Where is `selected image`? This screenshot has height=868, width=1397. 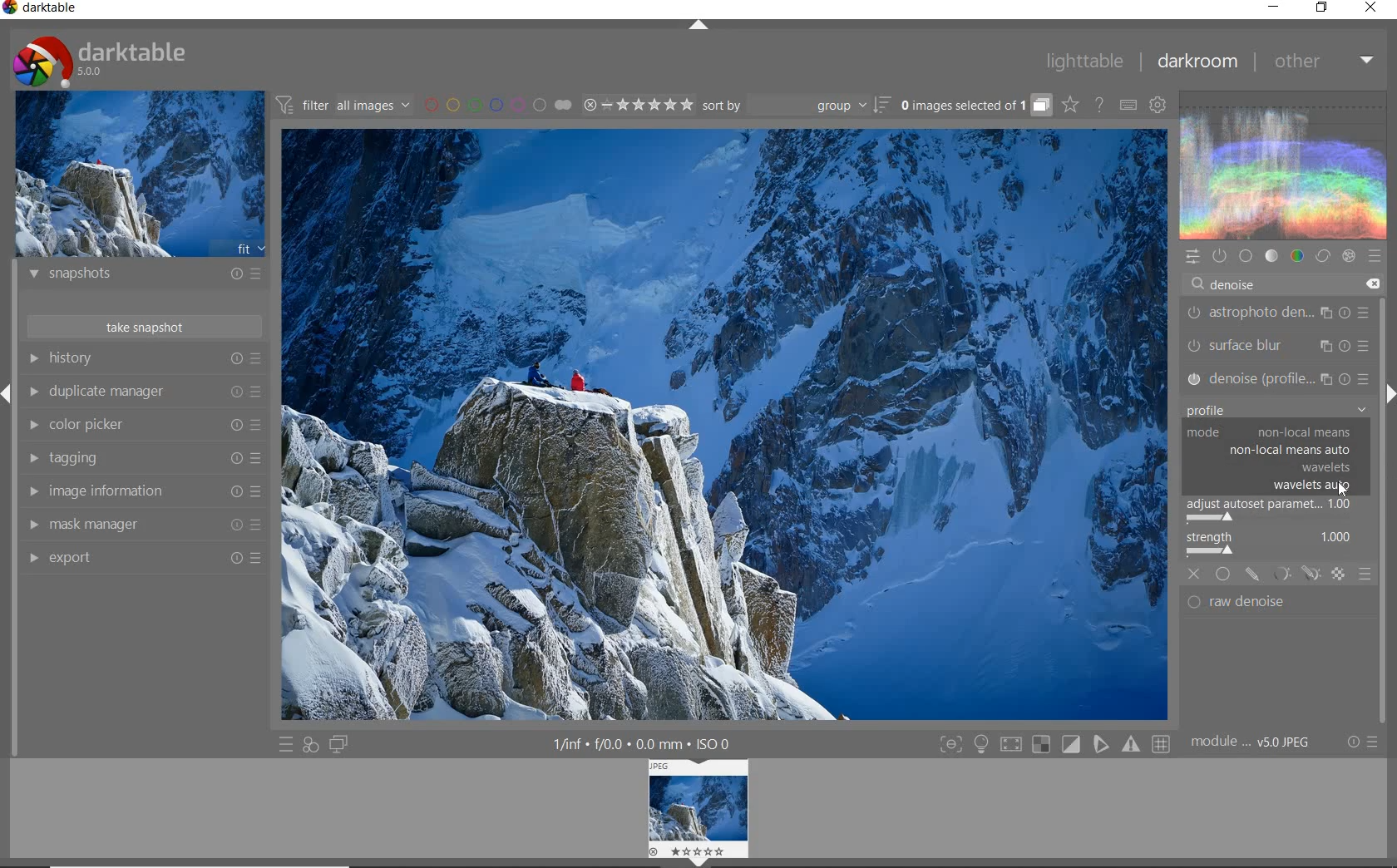 selected image is located at coordinates (722, 427).